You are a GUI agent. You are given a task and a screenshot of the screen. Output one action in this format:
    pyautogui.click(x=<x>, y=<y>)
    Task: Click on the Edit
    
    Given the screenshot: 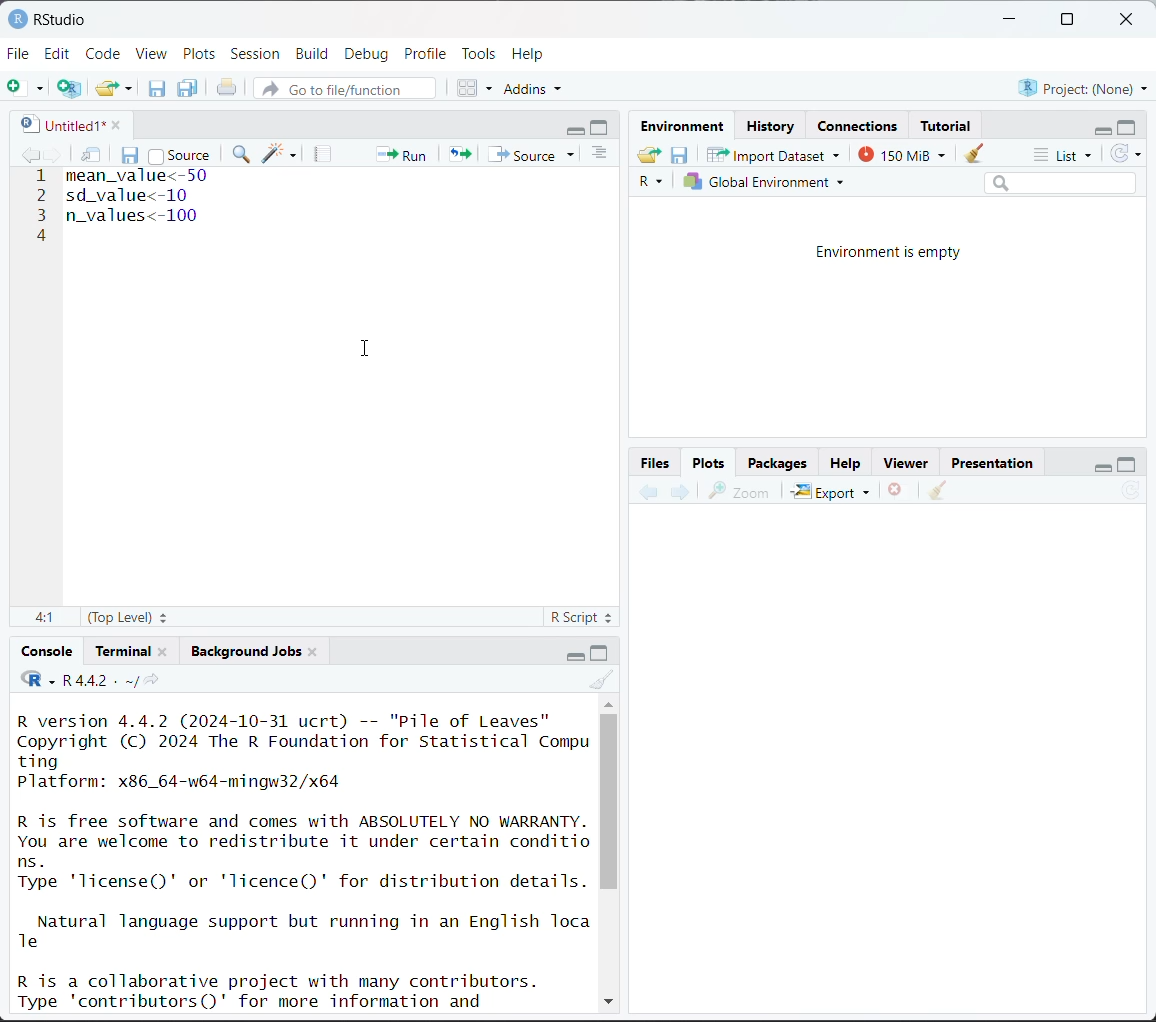 What is the action you would take?
    pyautogui.click(x=60, y=53)
    